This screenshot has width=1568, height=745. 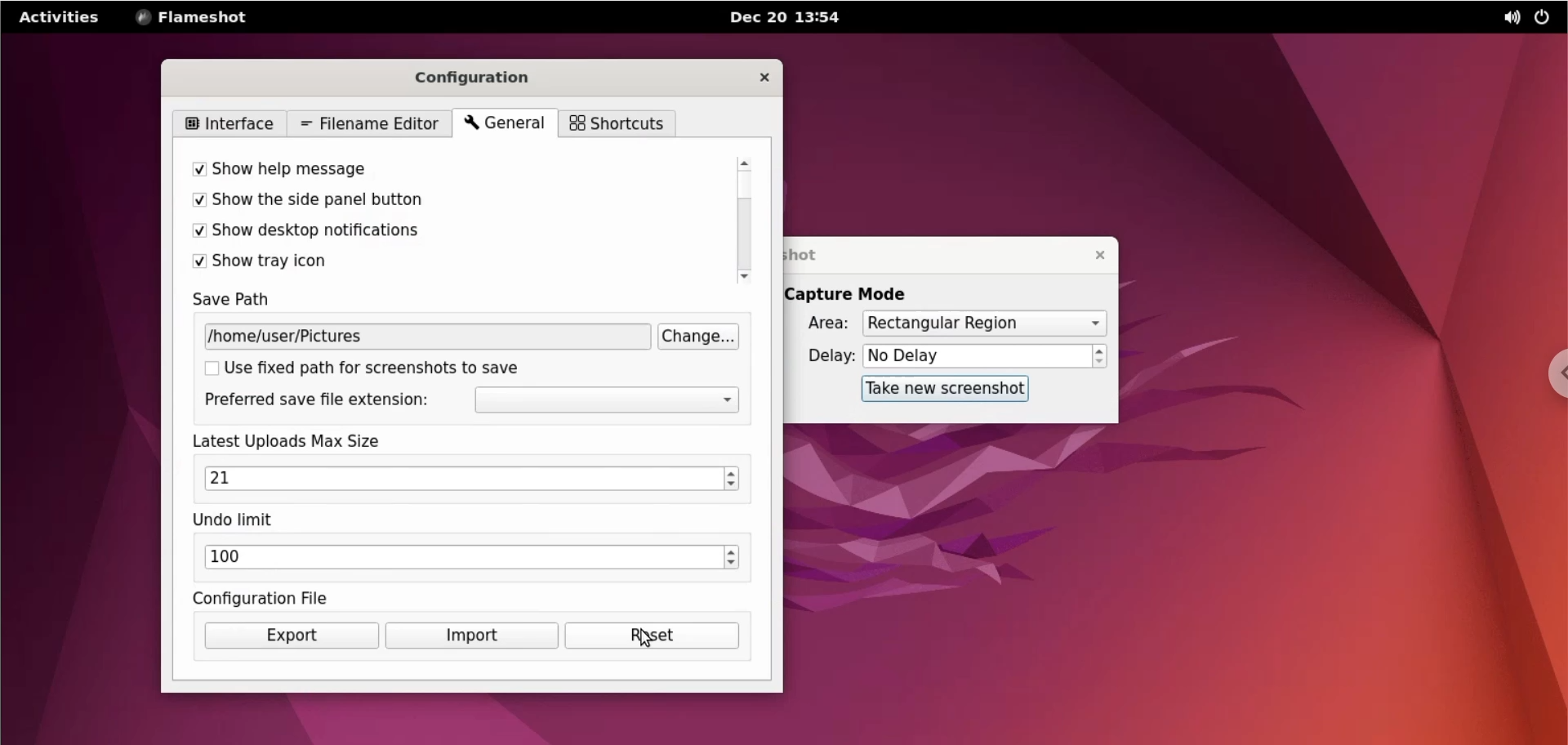 What do you see at coordinates (394, 370) in the screenshot?
I see `use fixed path for screenshots checkbox` at bounding box center [394, 370].